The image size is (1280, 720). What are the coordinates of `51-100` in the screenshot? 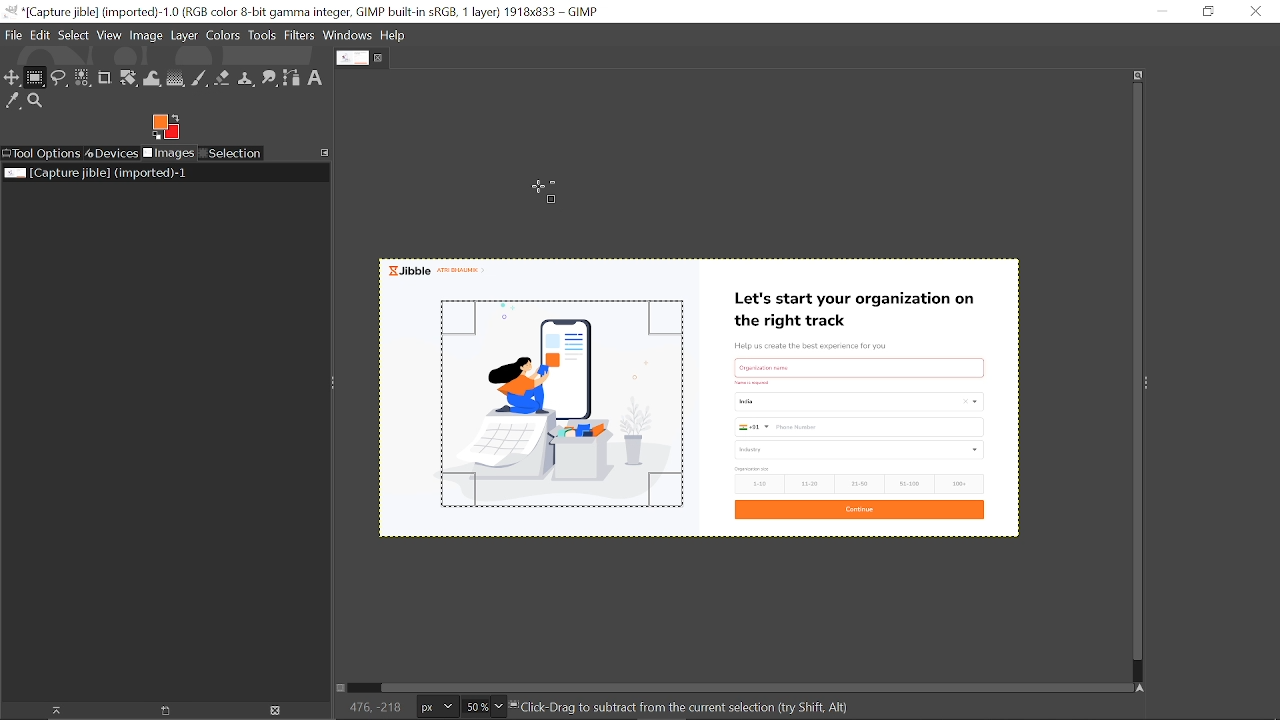 It's located at (907, 483).